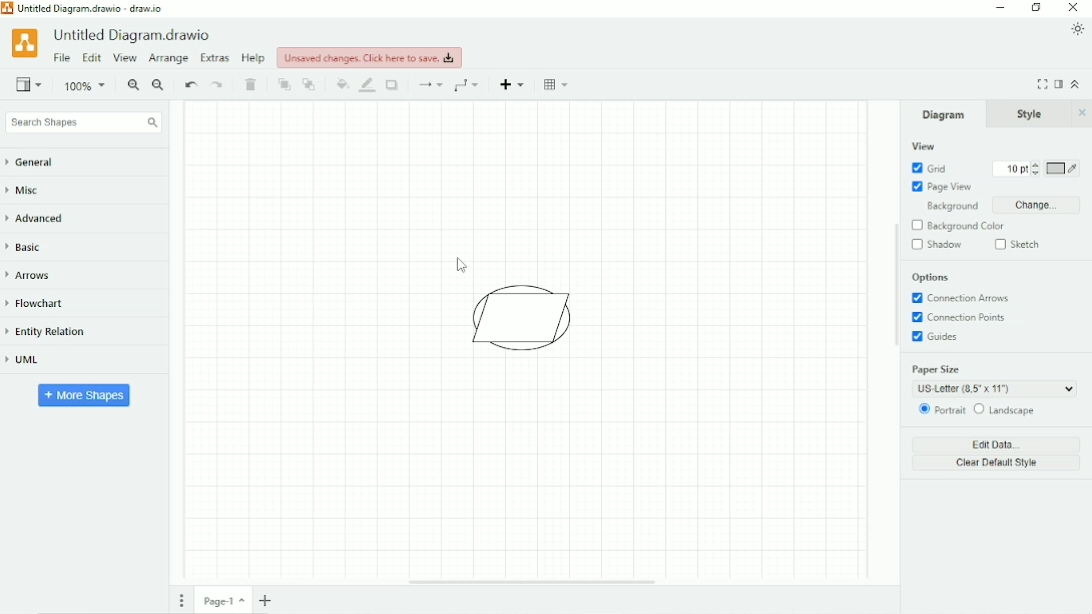  What do you see at coordinates (1059, 84) in the screenshot?
I see `Format` at bounding box center [1059, 84].